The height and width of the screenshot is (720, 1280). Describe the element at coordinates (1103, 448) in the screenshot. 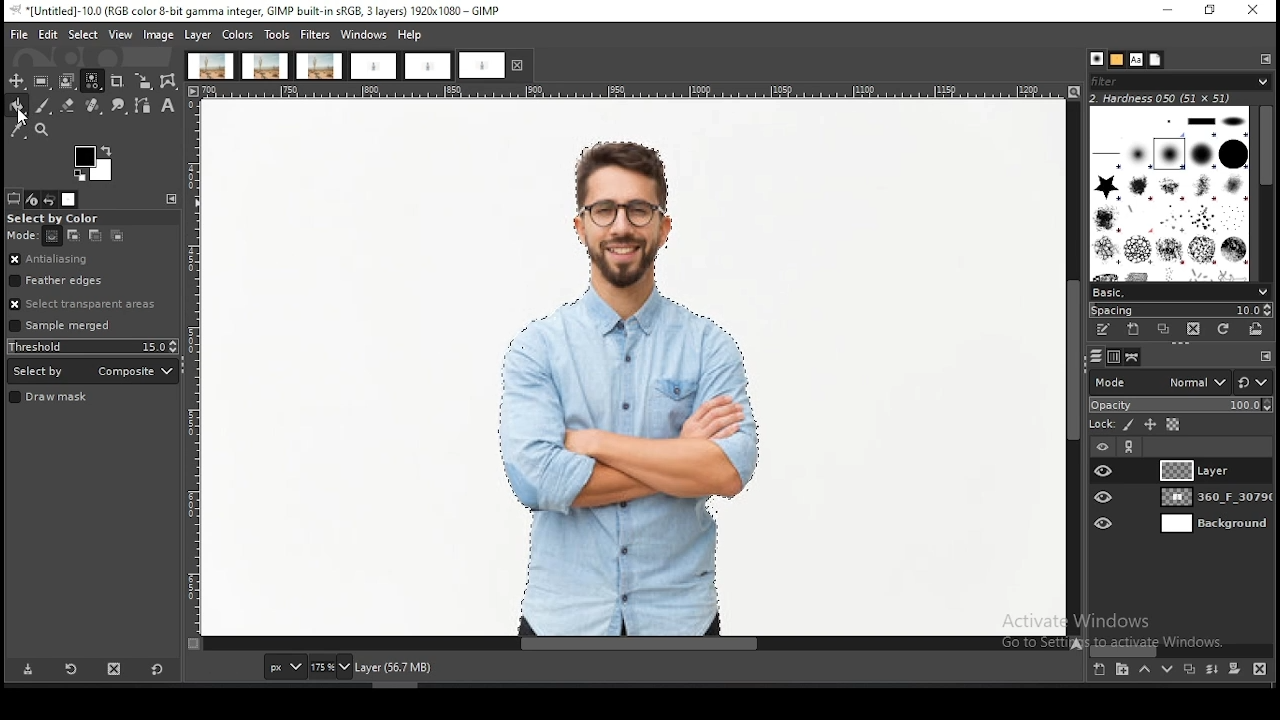

I see `layer visibility on/off` at that location.